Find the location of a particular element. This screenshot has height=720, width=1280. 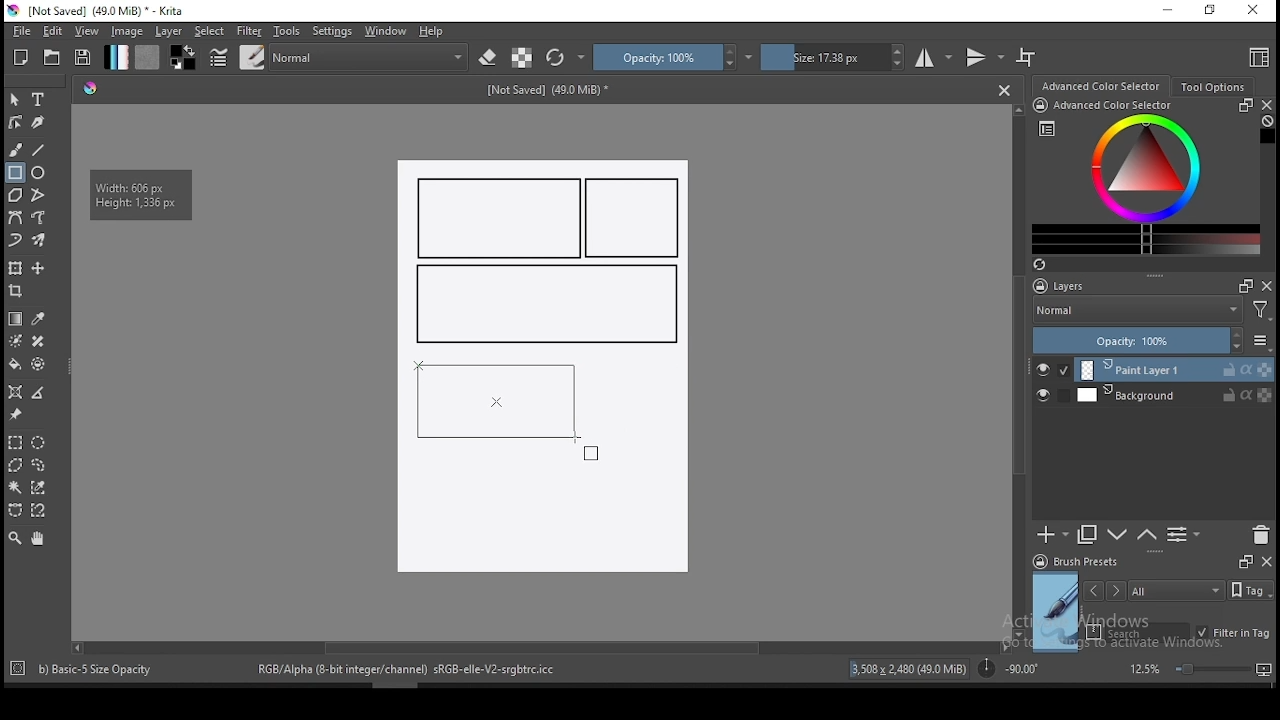

Frames is located at coordinates (1245, 561).